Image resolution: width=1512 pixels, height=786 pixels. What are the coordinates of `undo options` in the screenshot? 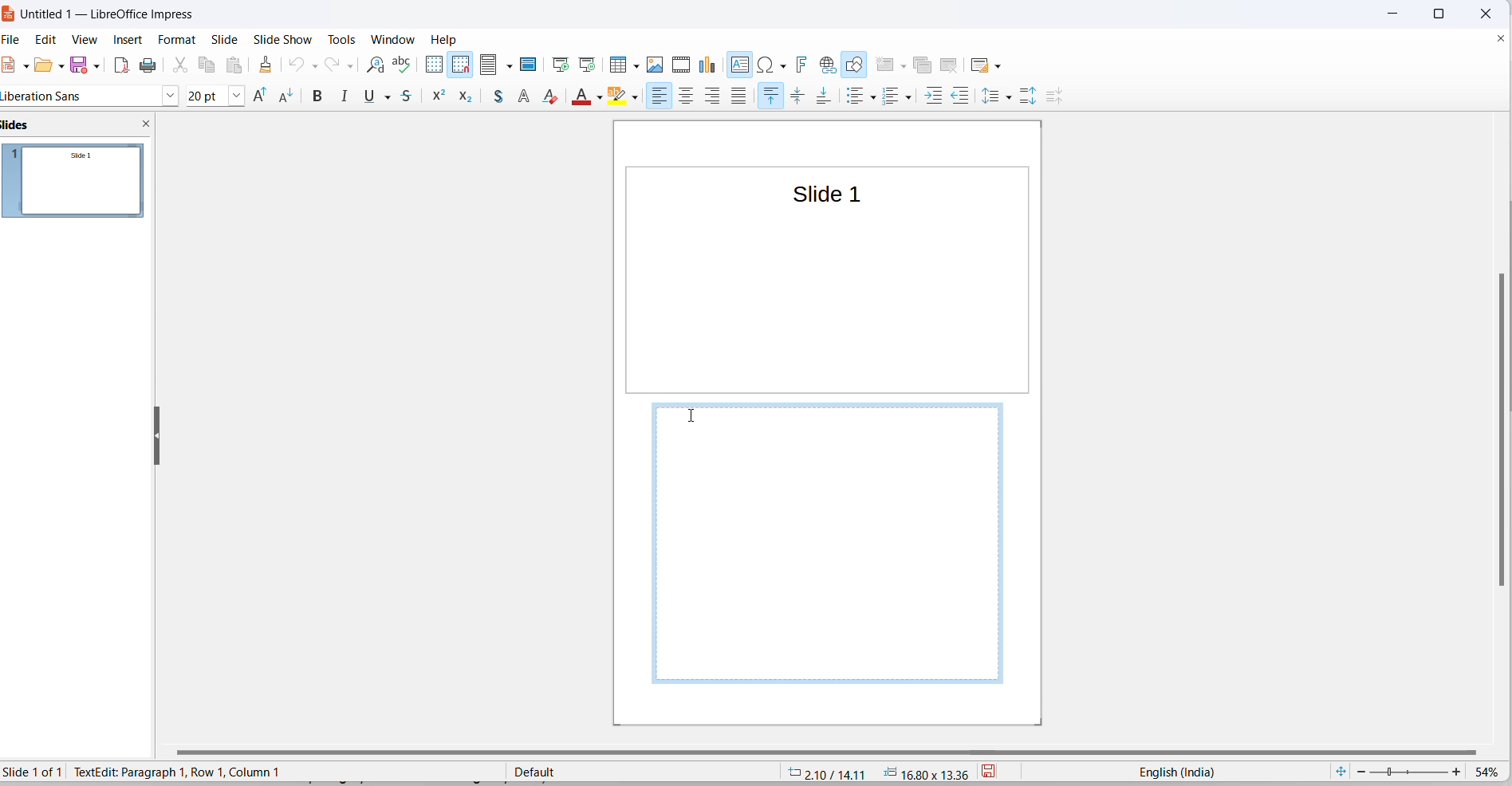 It's located at (314, 65).